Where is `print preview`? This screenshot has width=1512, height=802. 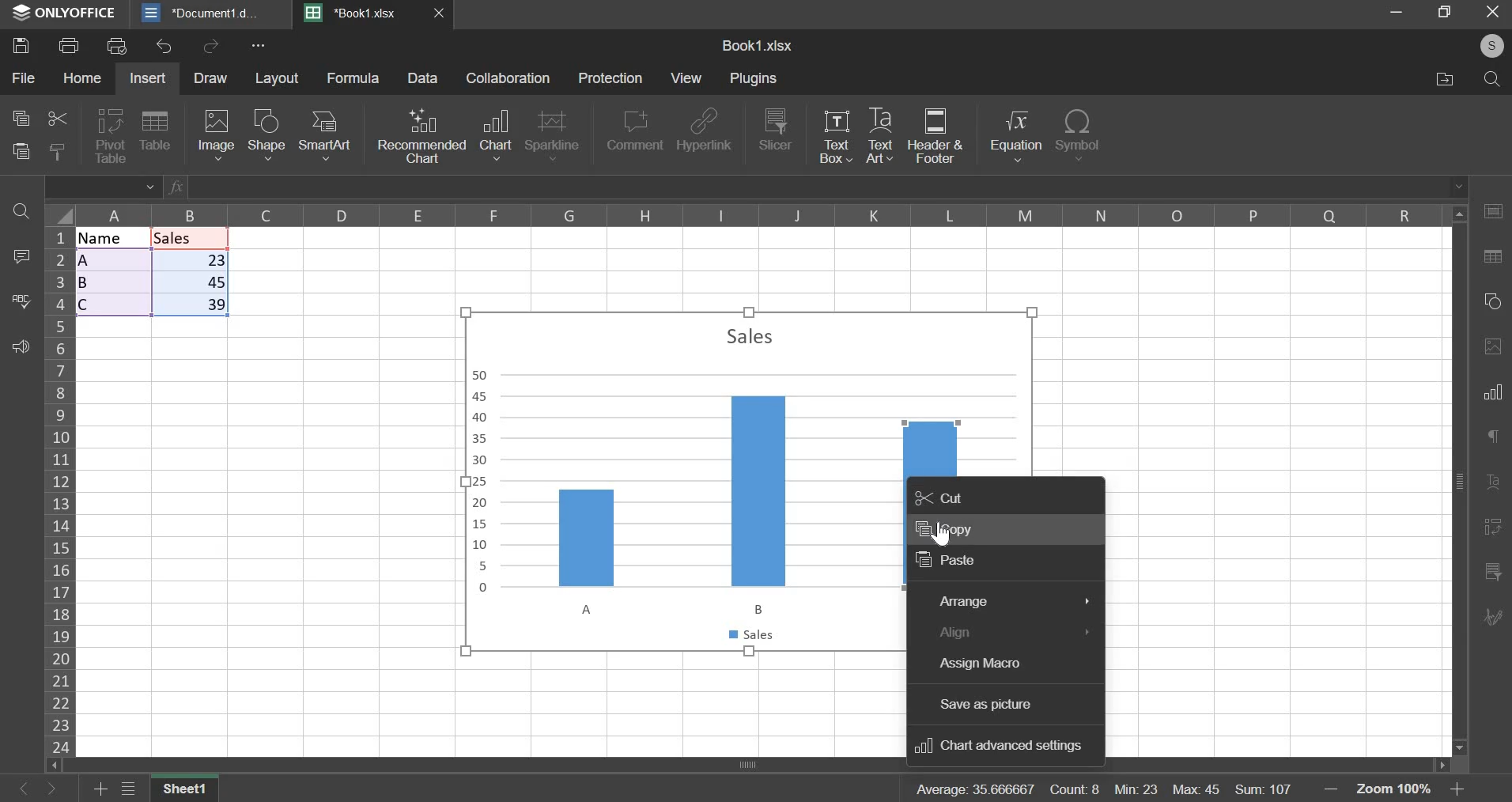 print preview is located at coordinates (117, 47).